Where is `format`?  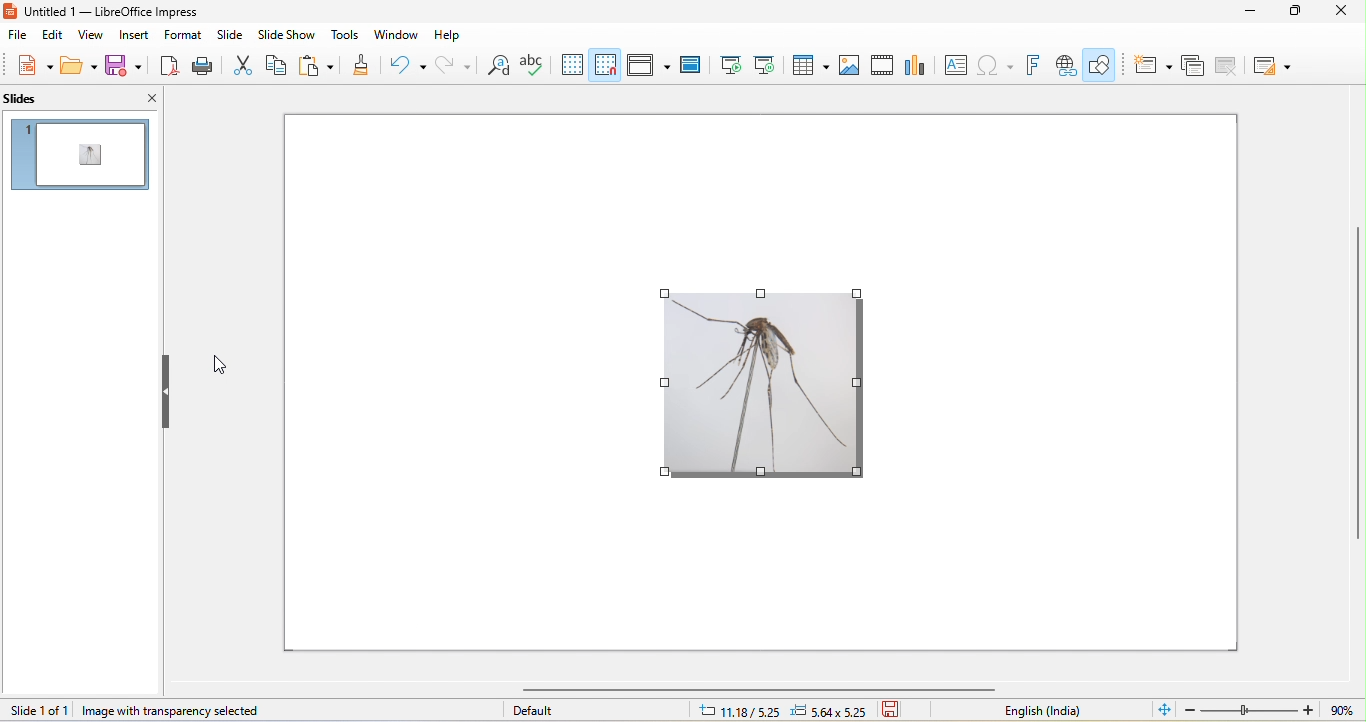
format is located at coordinates (184, 35).